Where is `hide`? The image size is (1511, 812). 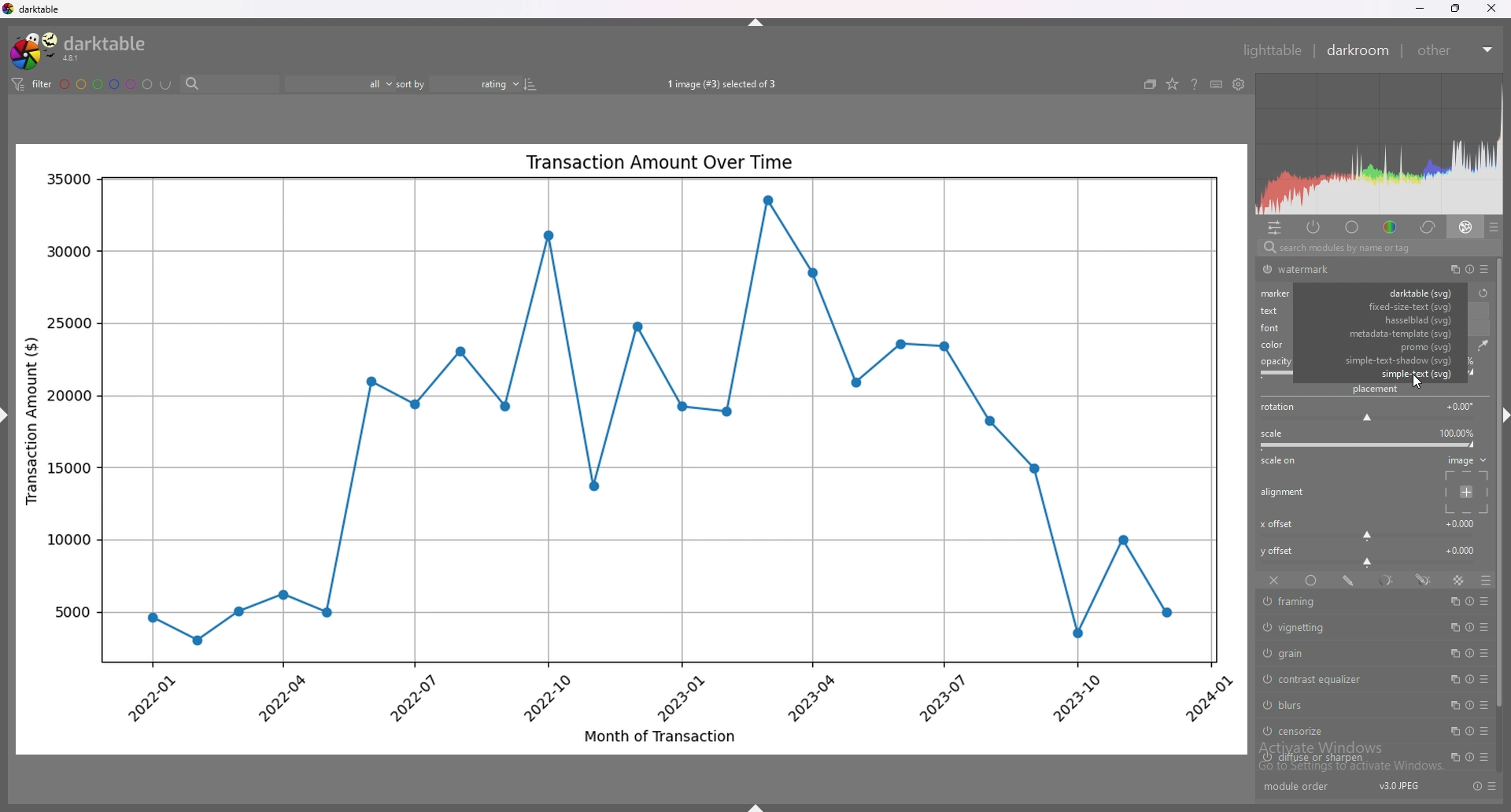 hide is located at coordinates (1502, 418).